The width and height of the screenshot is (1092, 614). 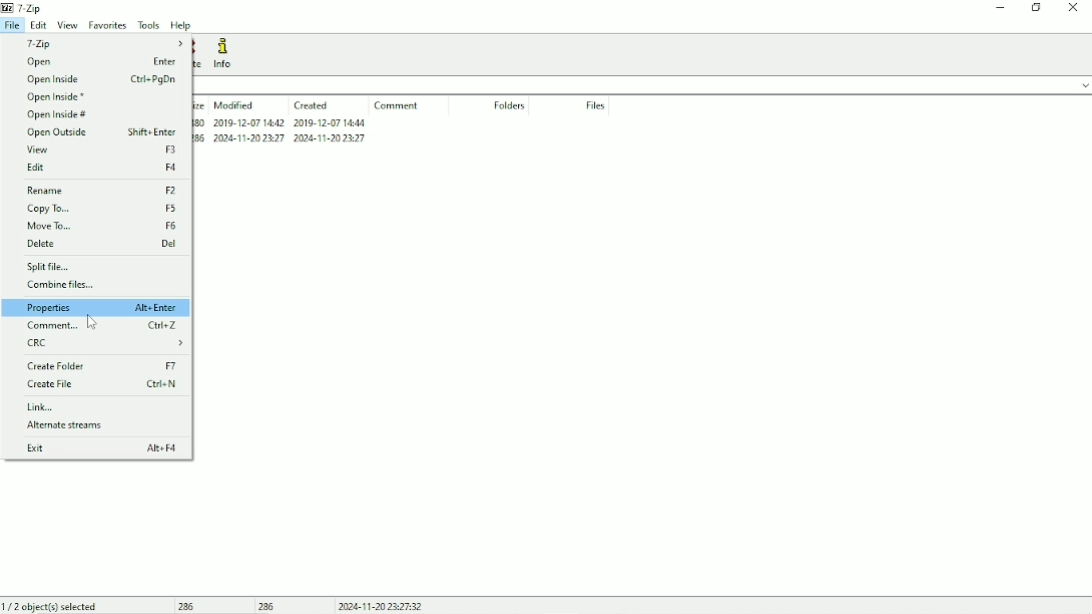 I want to click on CRC, so click(x=105, y=343).